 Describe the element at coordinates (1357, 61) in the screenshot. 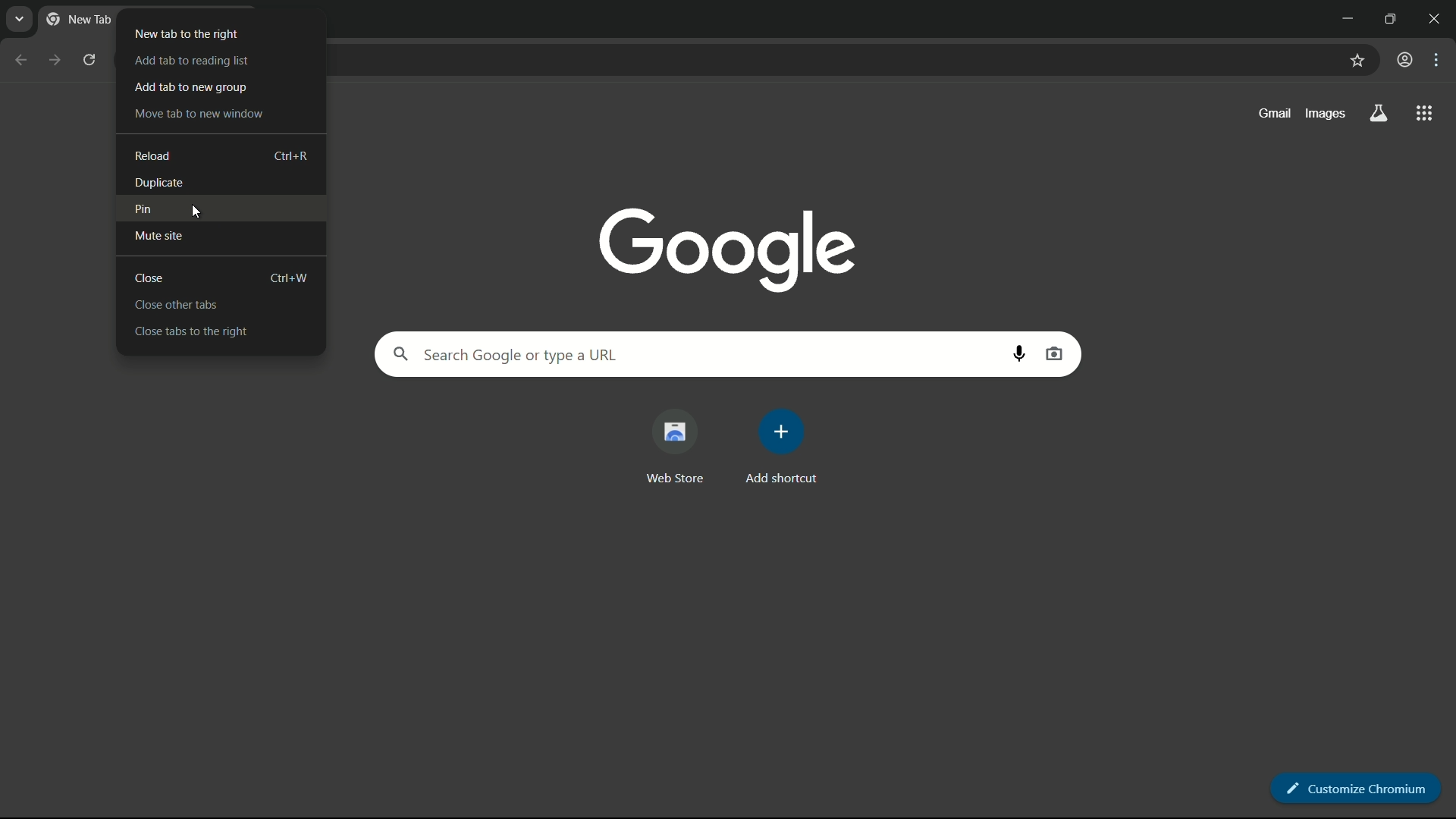

I see `bookmark this tab` at that location.